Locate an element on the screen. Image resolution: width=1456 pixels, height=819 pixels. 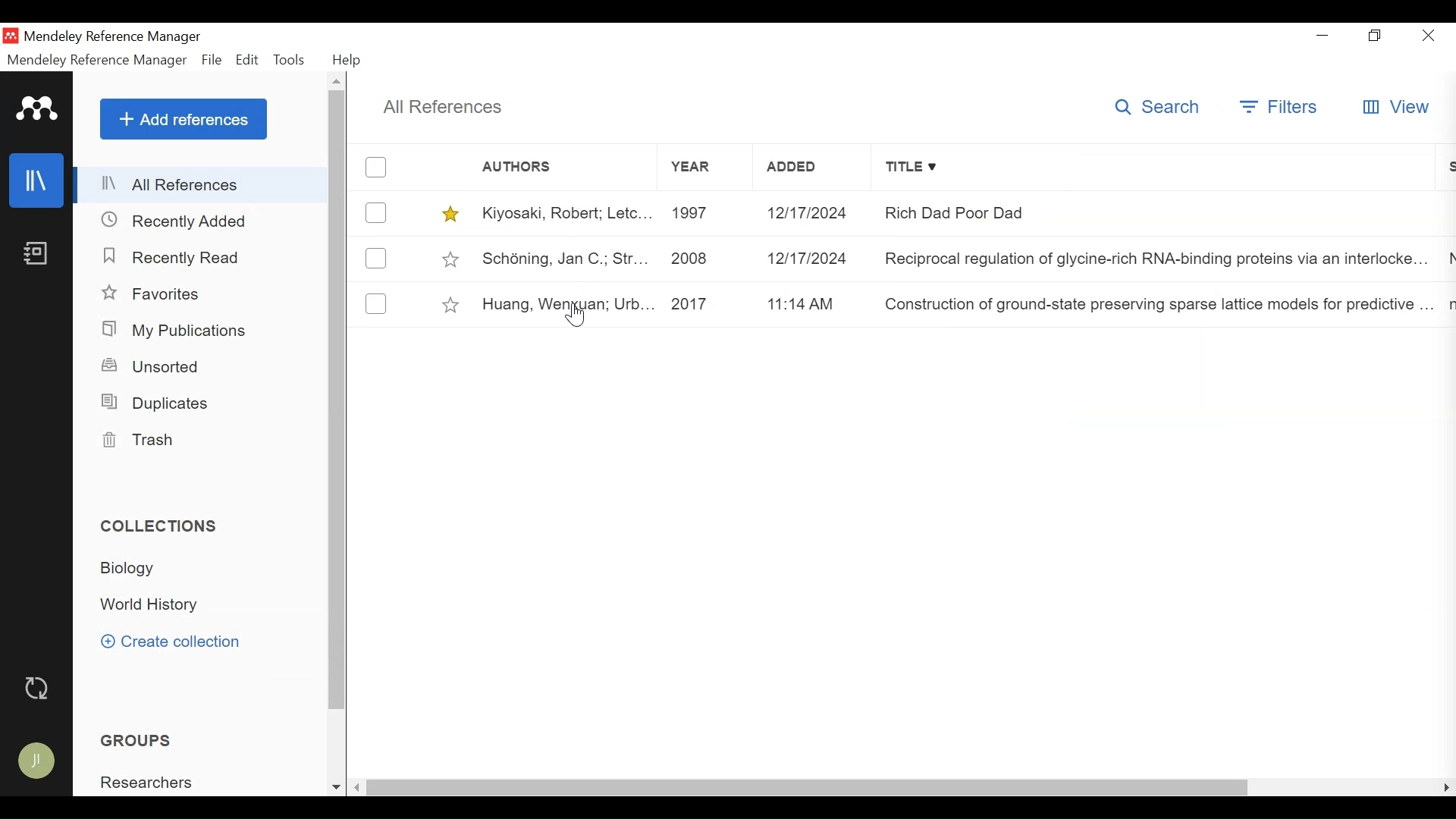
minimize is located at coordinates (1323, 36).